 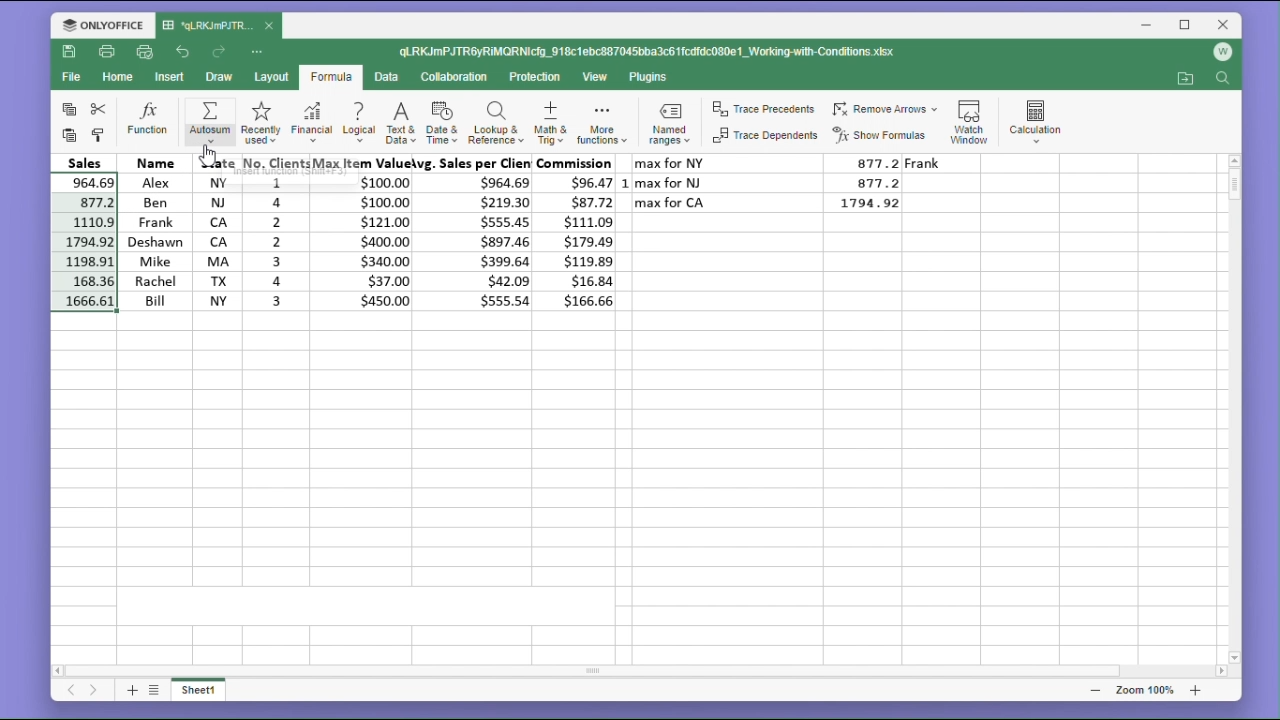 What do you see at coordinates (1234, 160) in the screenshot?
I see `scroll up` at bounding box center [1234, 160].